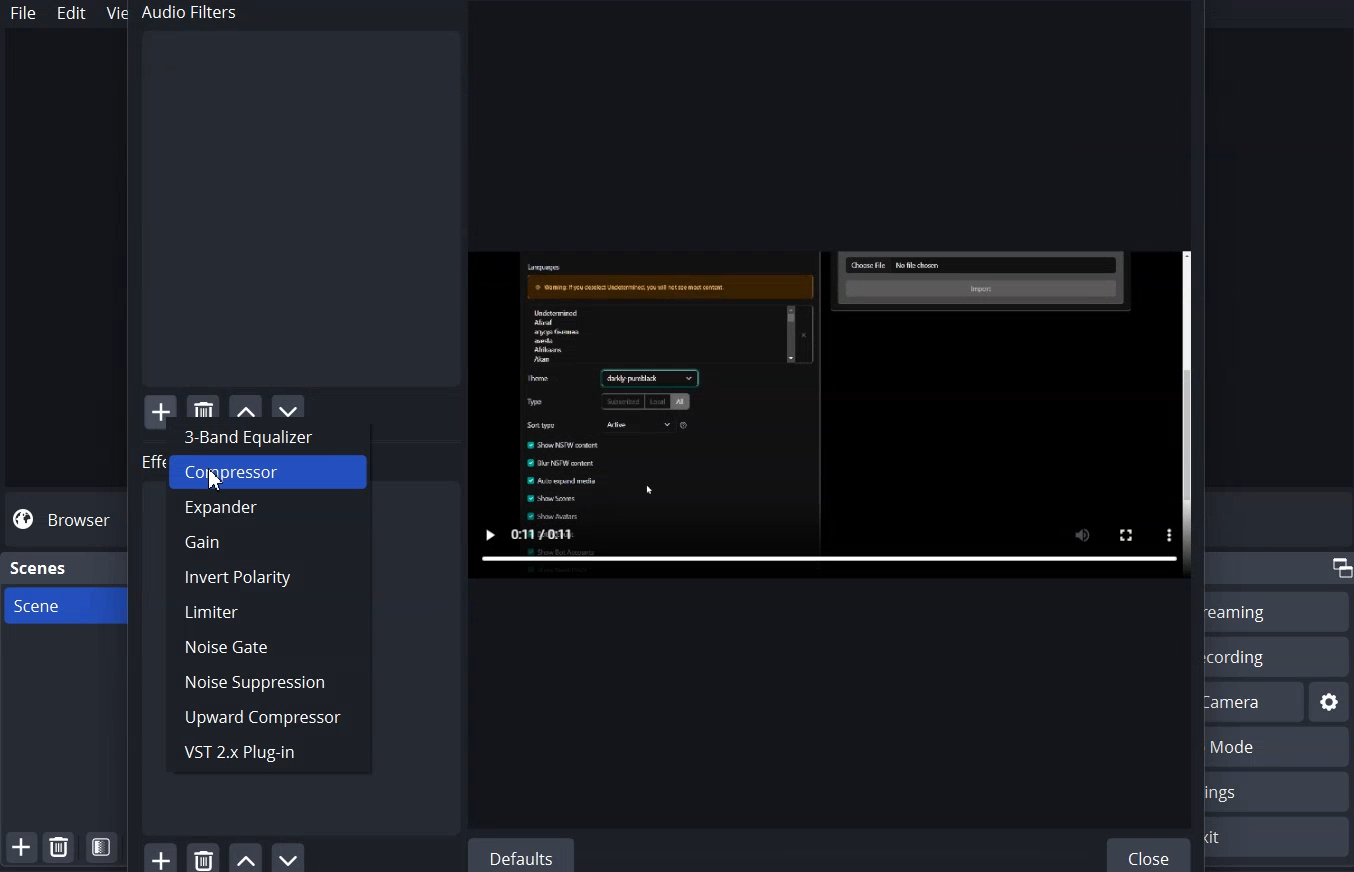 The width and height of the screenshot is (1354, 872). Describe the element at coordinates (20, 847) in the screenshot. I see `Add Scene` at that location.